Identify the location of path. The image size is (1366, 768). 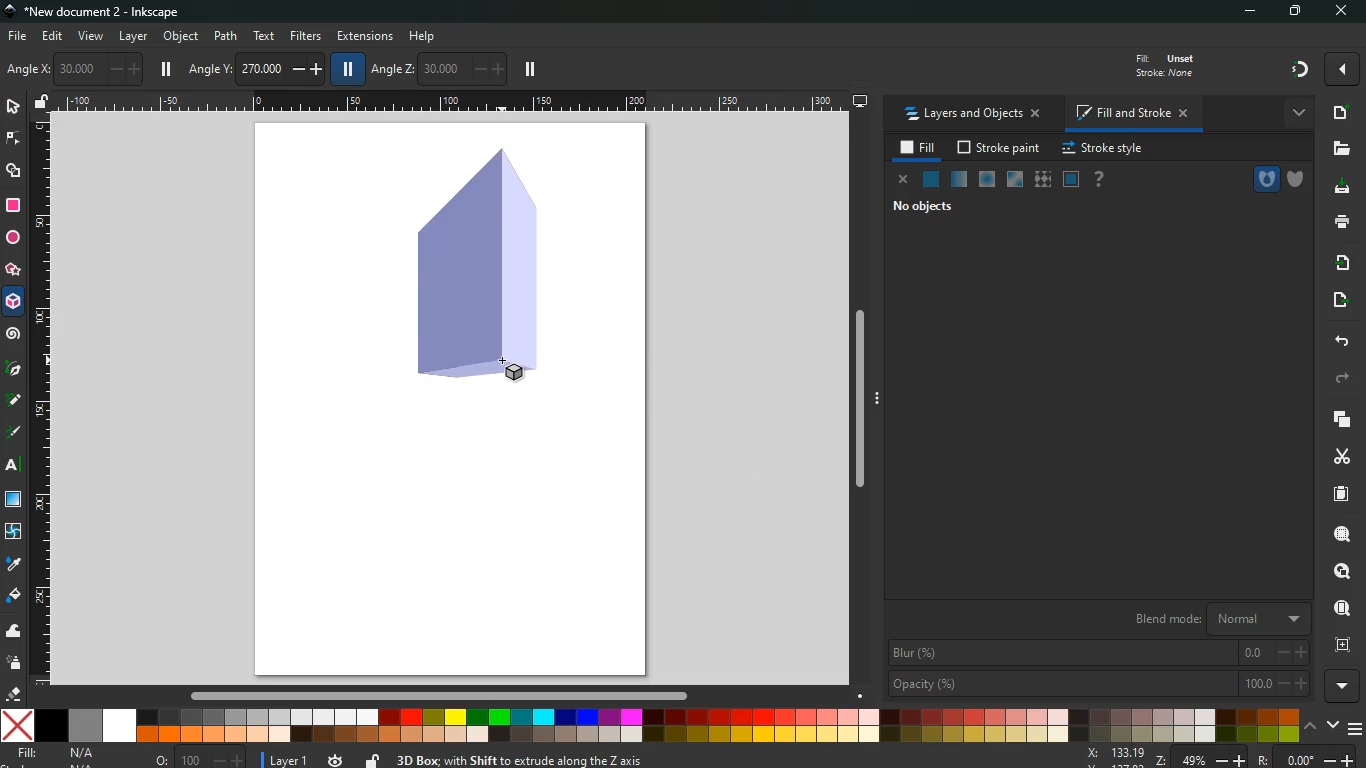
(227, 35).